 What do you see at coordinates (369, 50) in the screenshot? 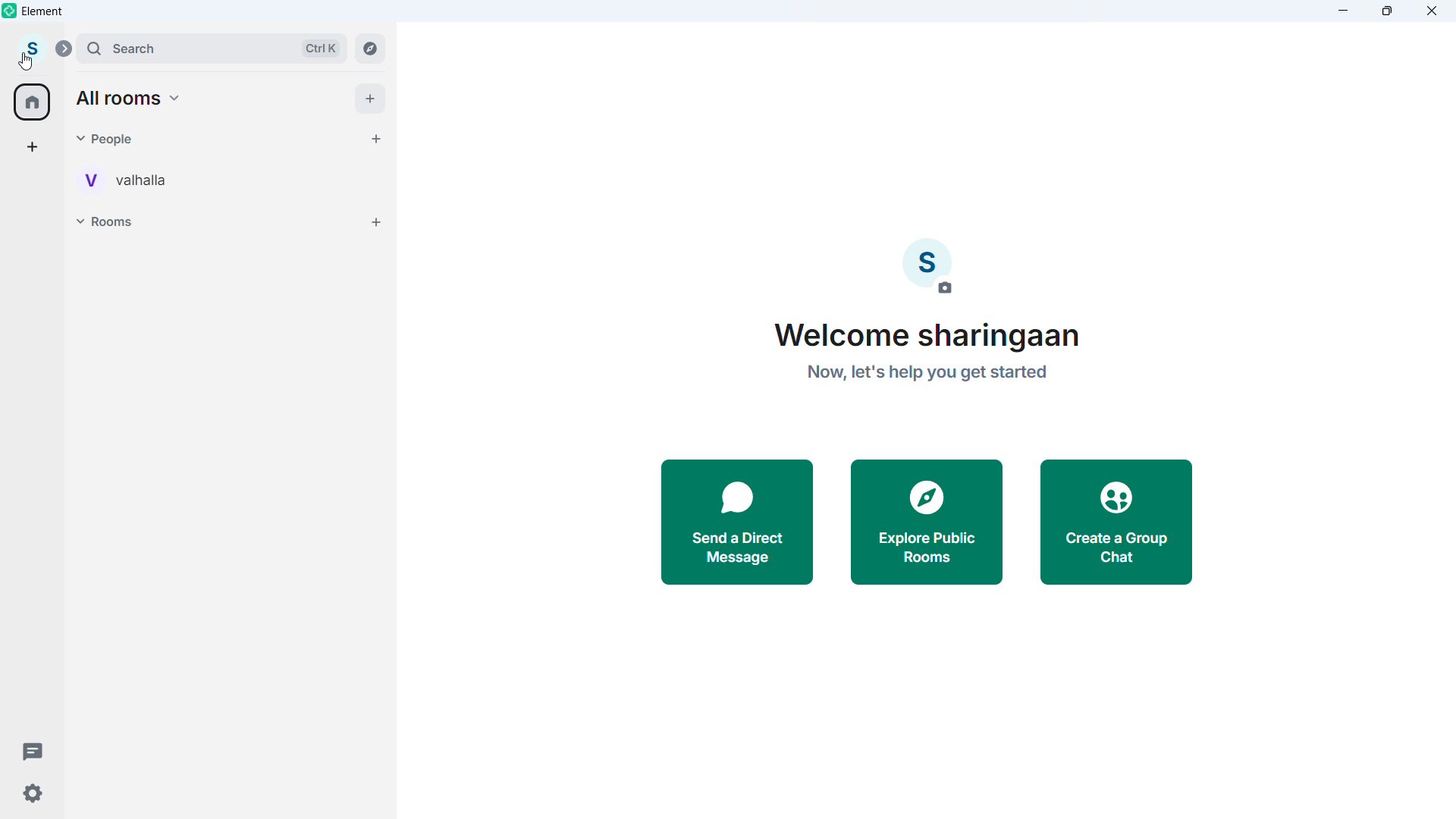
I see `Explore rooms ` at bounding box center [369, 50].